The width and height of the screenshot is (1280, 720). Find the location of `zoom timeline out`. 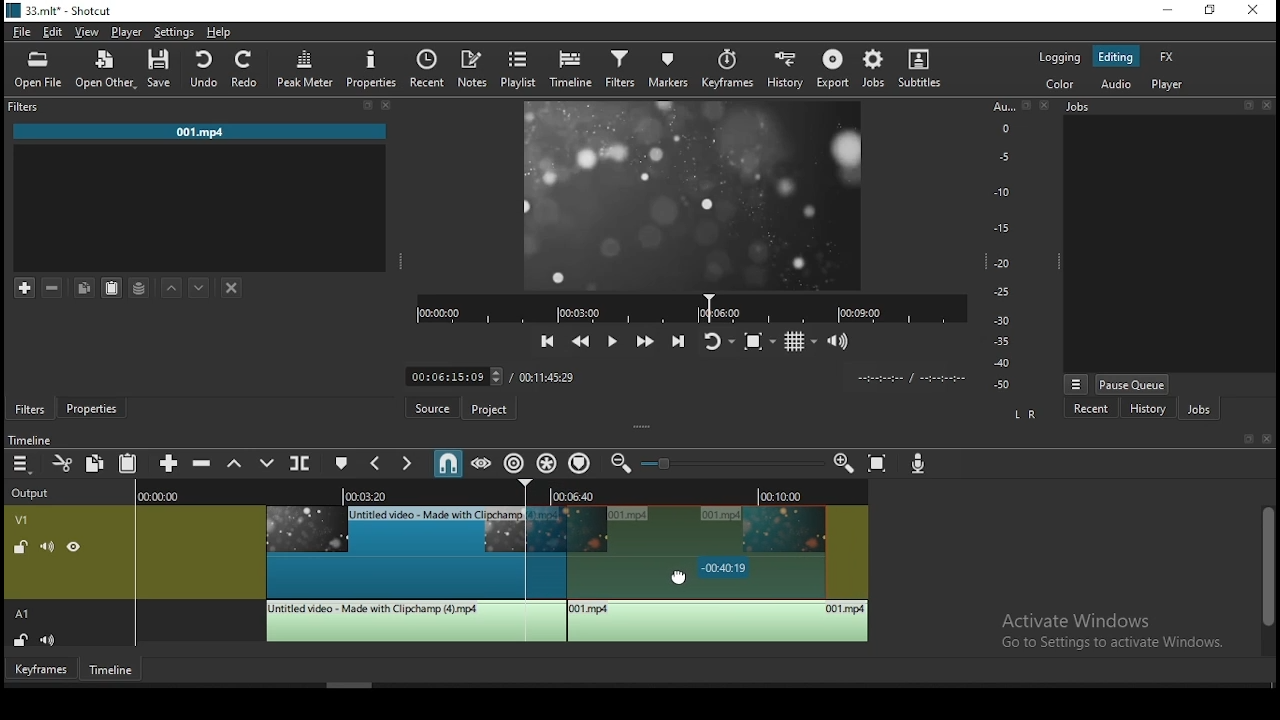

zoom timeline out is located at coordinates (619, 467).